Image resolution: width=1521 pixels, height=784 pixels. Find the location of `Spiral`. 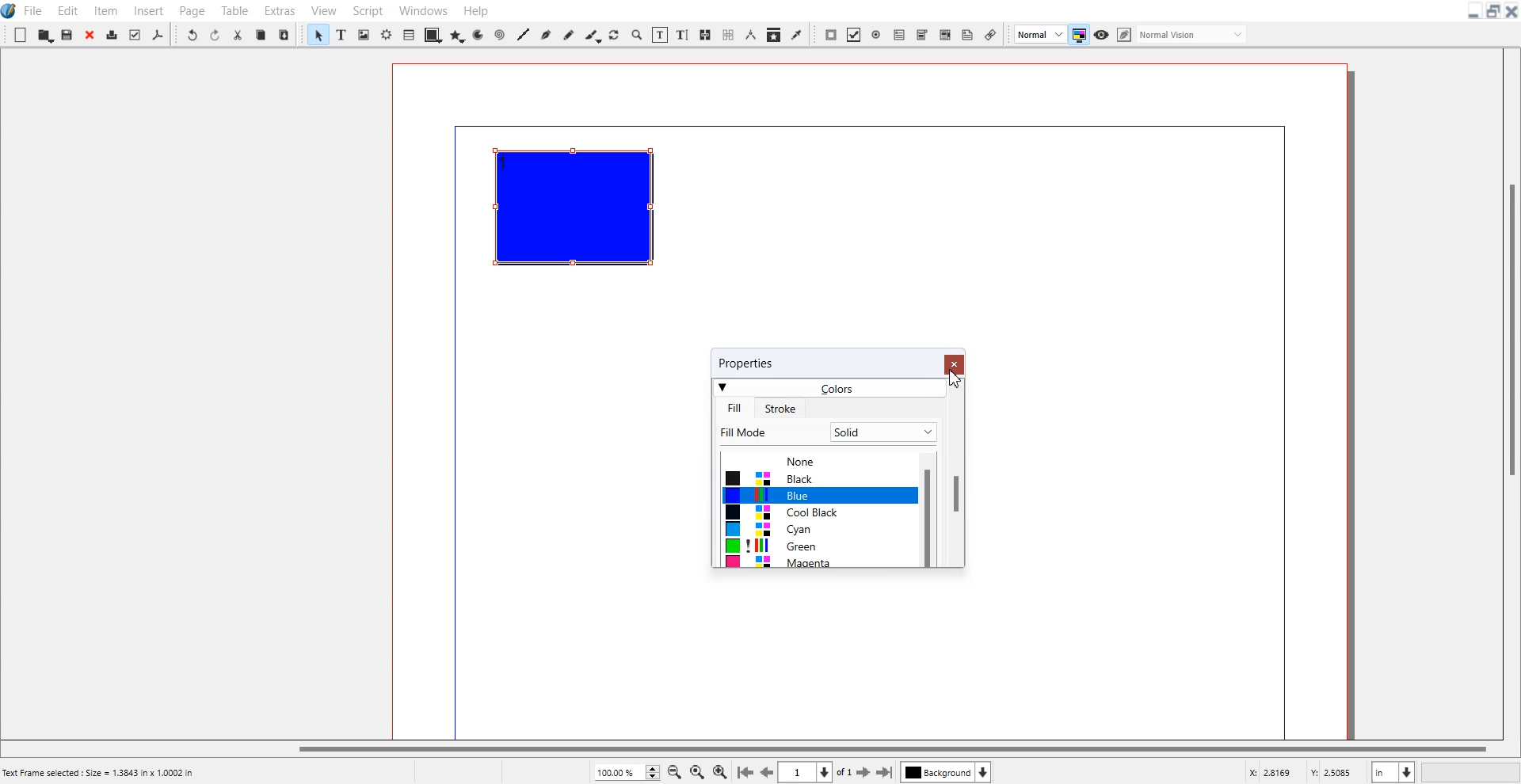

Spiral is located at coordinates (498, 34).